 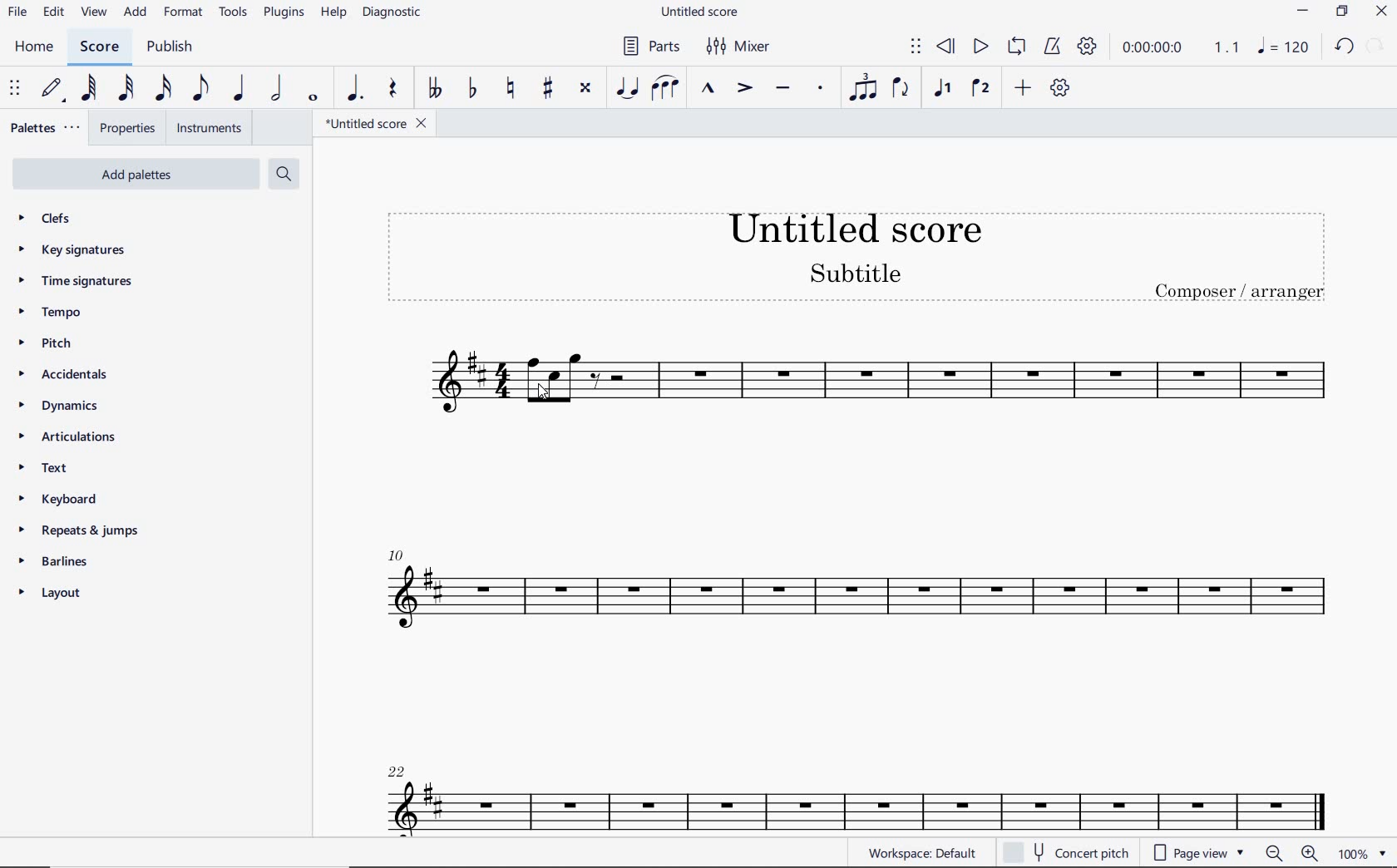 I want to click on HELP, so click(x=333, y=14).